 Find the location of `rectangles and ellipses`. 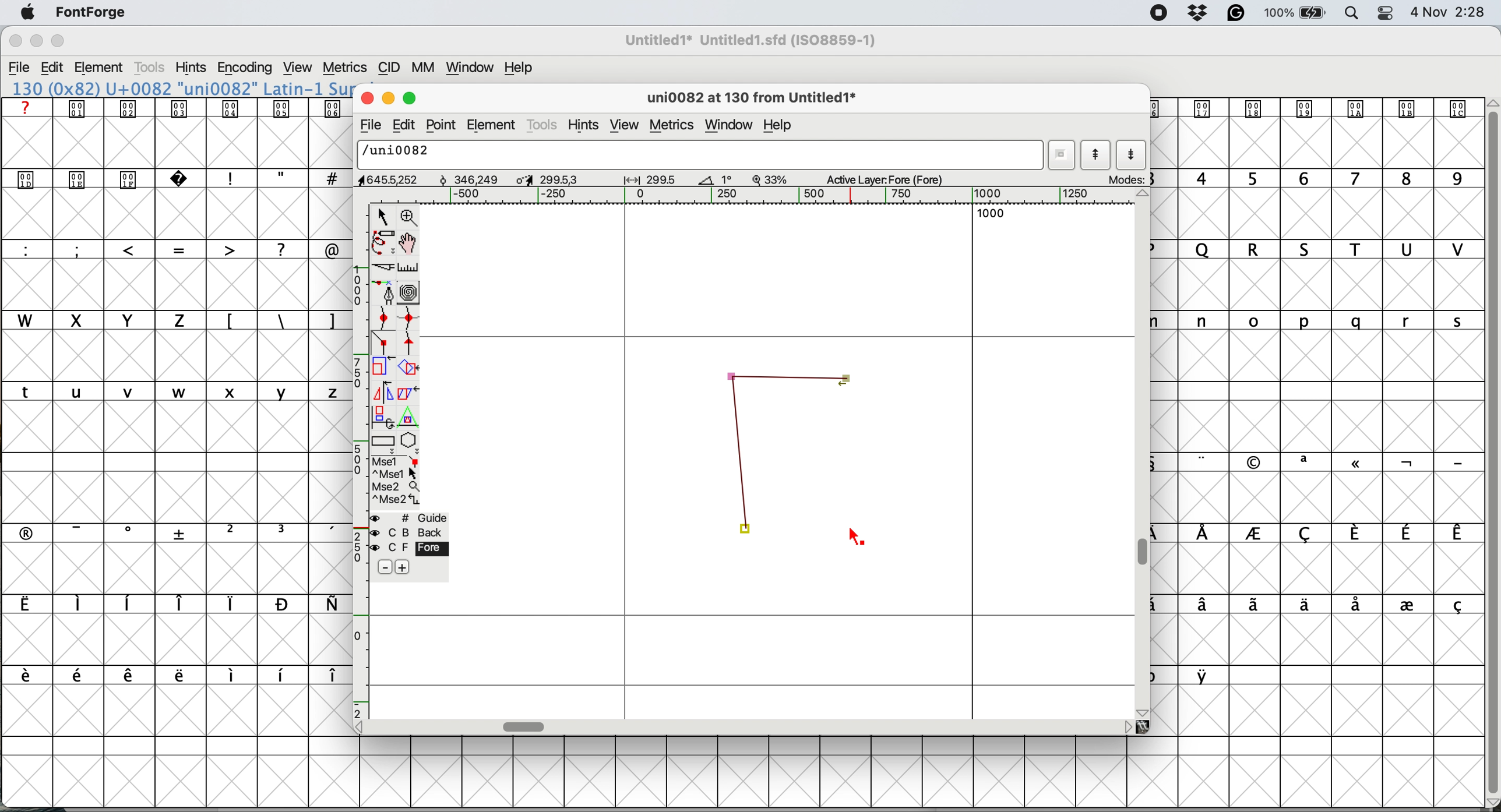

rectangles and ellipses is located at coordinates (385, 443).